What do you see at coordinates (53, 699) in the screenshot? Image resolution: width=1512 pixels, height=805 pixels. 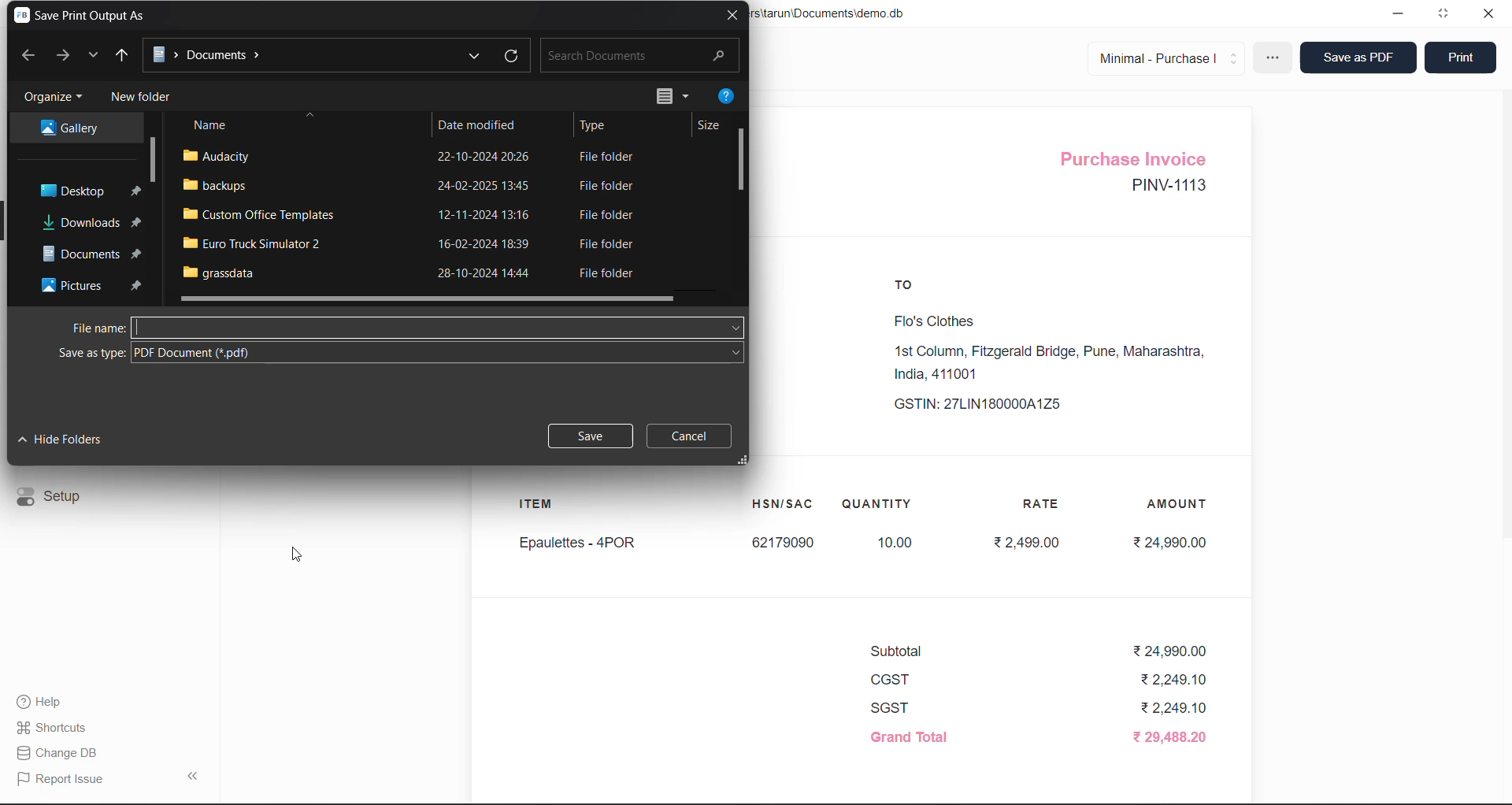 I see ` Help` at bounding box center [53, 699].